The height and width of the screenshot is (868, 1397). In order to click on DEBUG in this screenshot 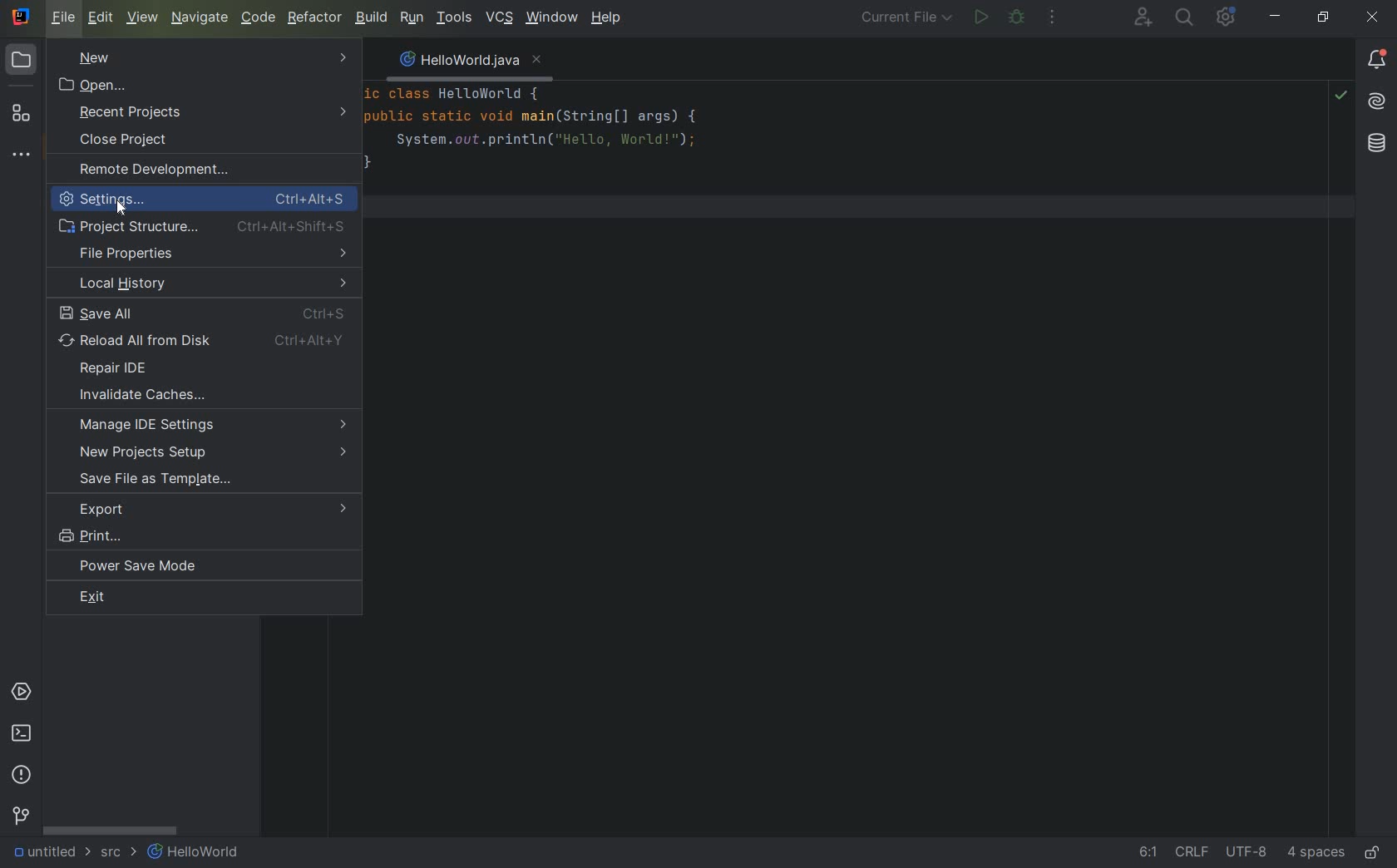, I will do `click(1018, 17)`.